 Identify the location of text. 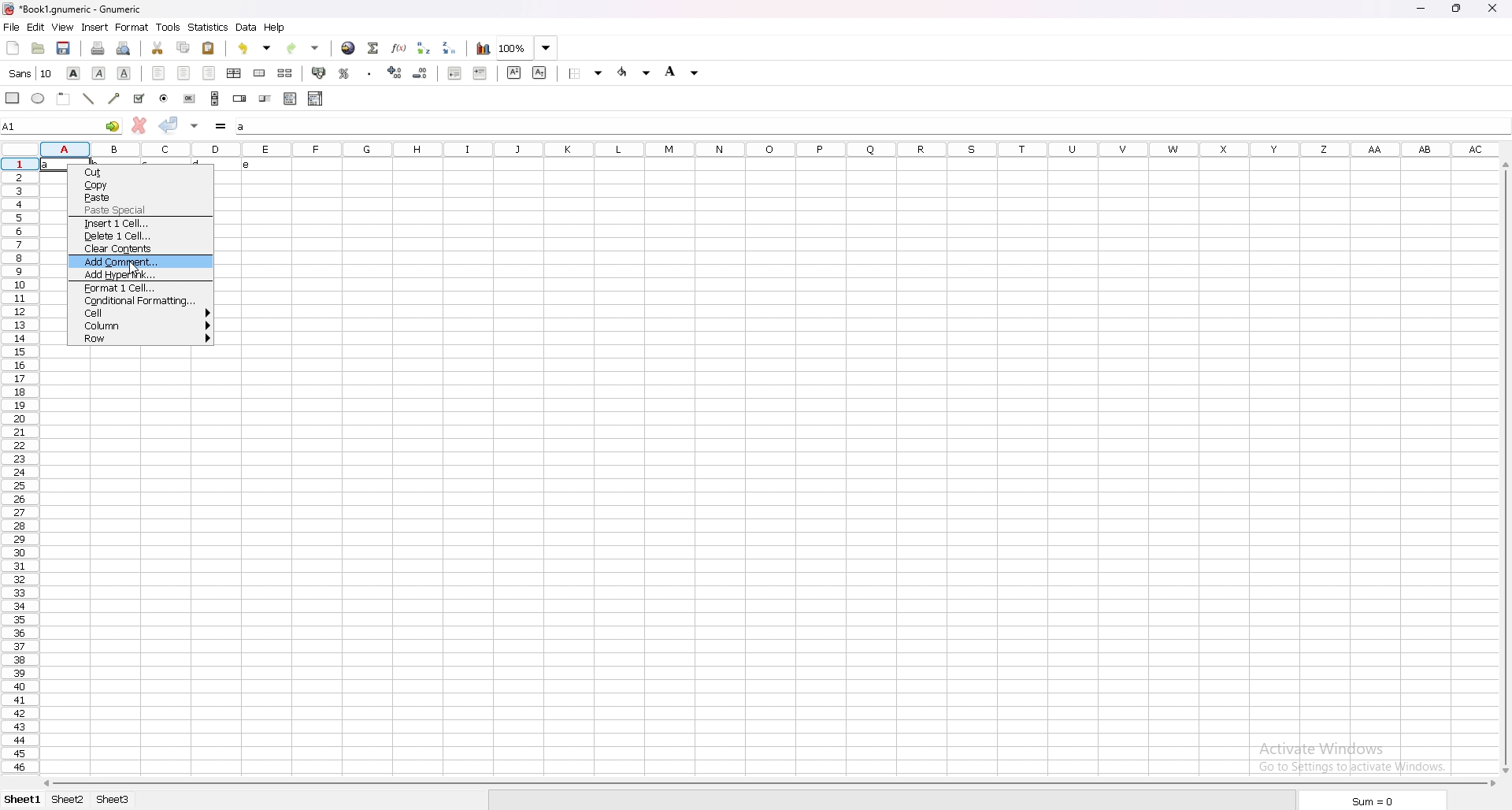
(51, 165).